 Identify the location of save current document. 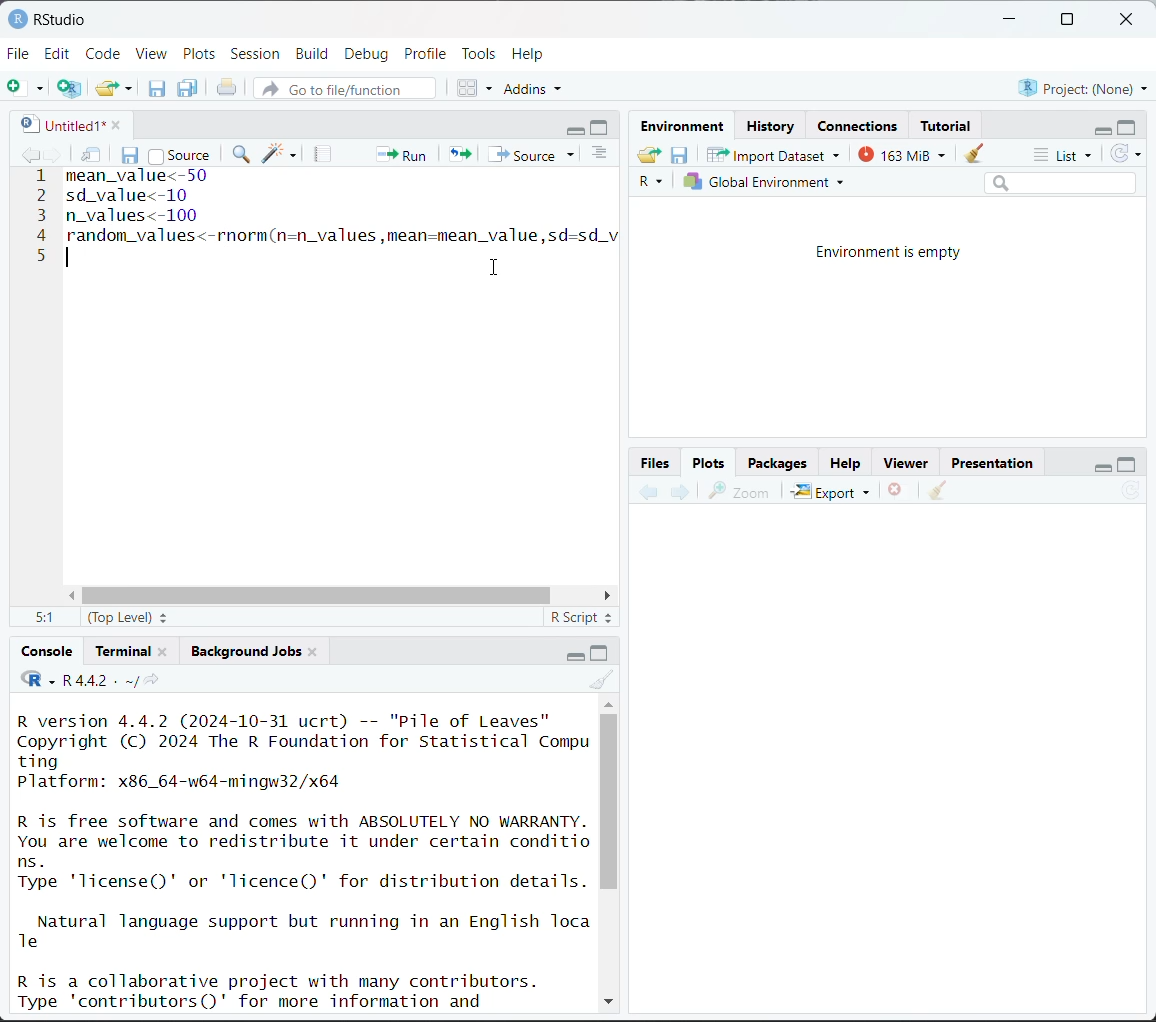
(157, 88).